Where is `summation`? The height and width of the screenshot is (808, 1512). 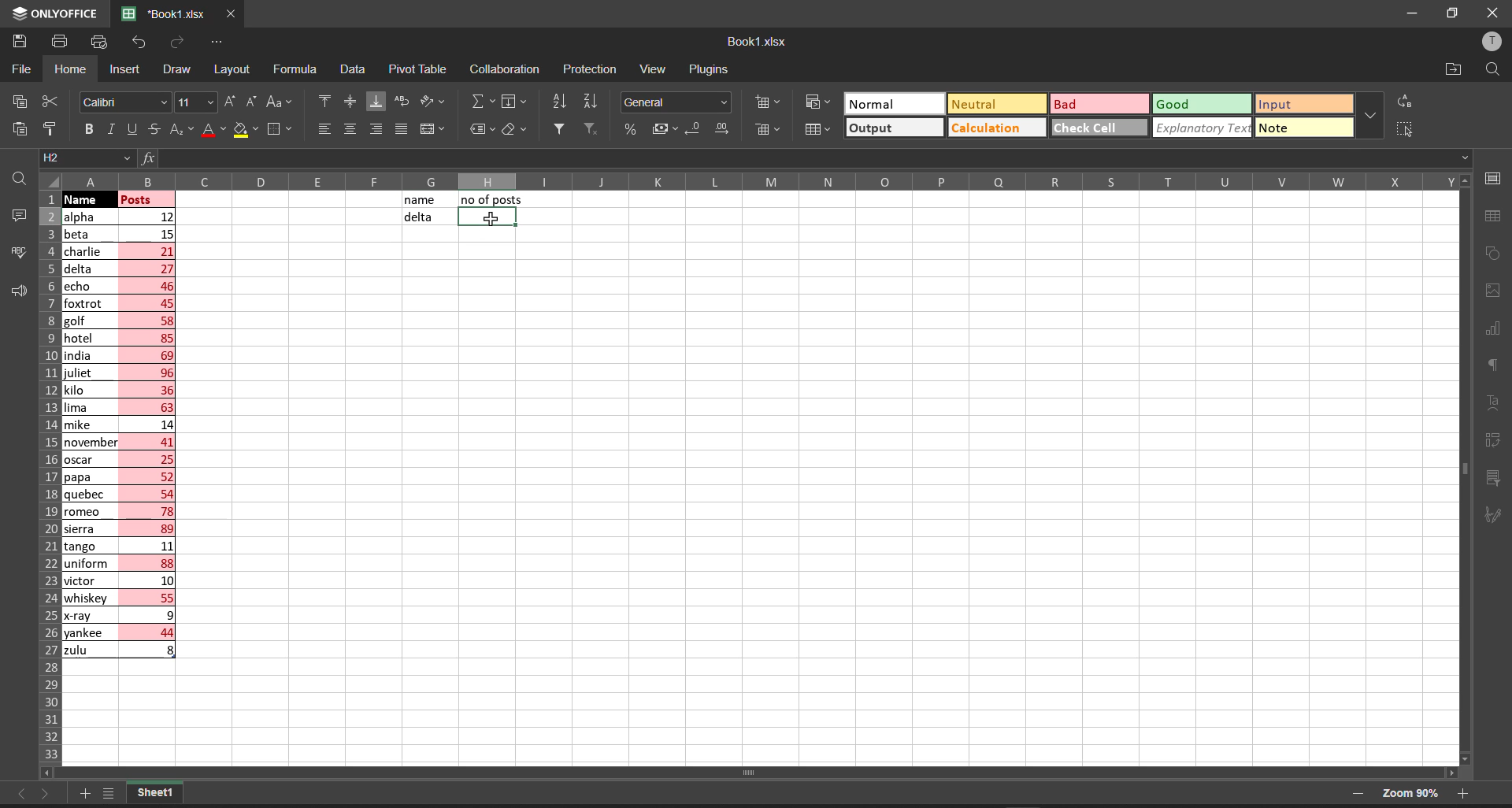 summation is located at coordinates (480, 102).